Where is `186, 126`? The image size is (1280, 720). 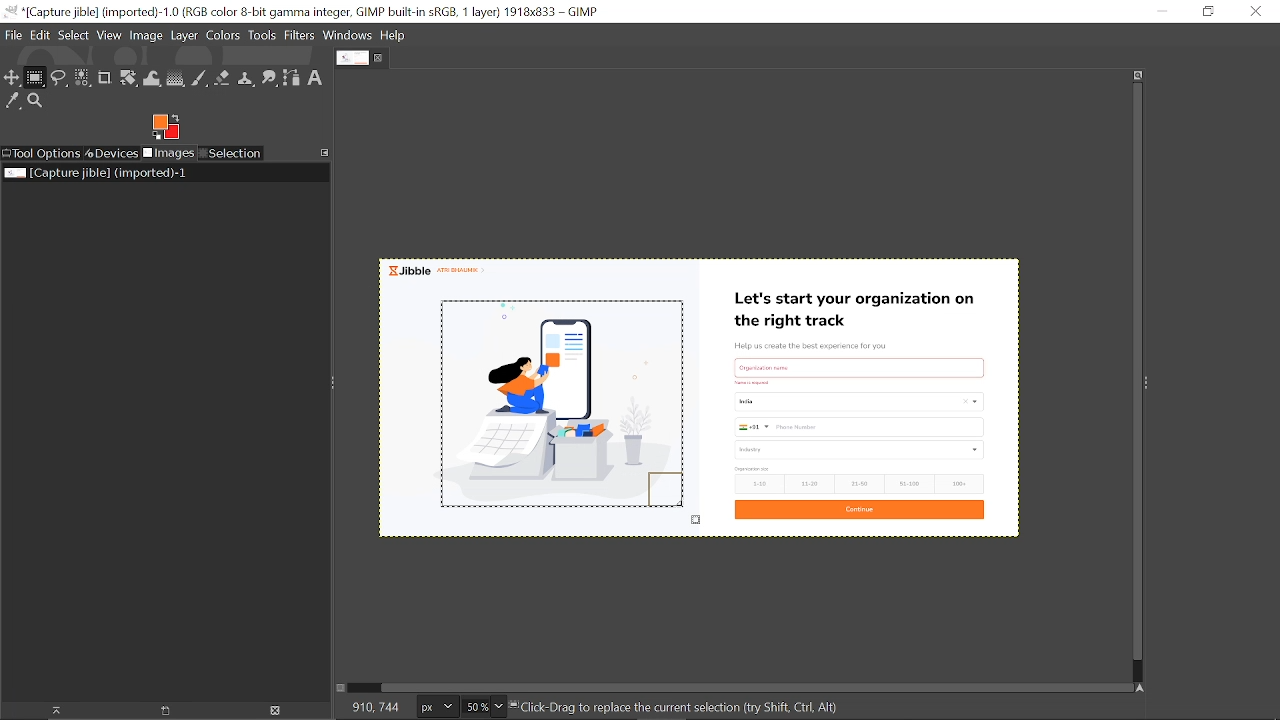 186, 126 is located at coordinates (369, 708).